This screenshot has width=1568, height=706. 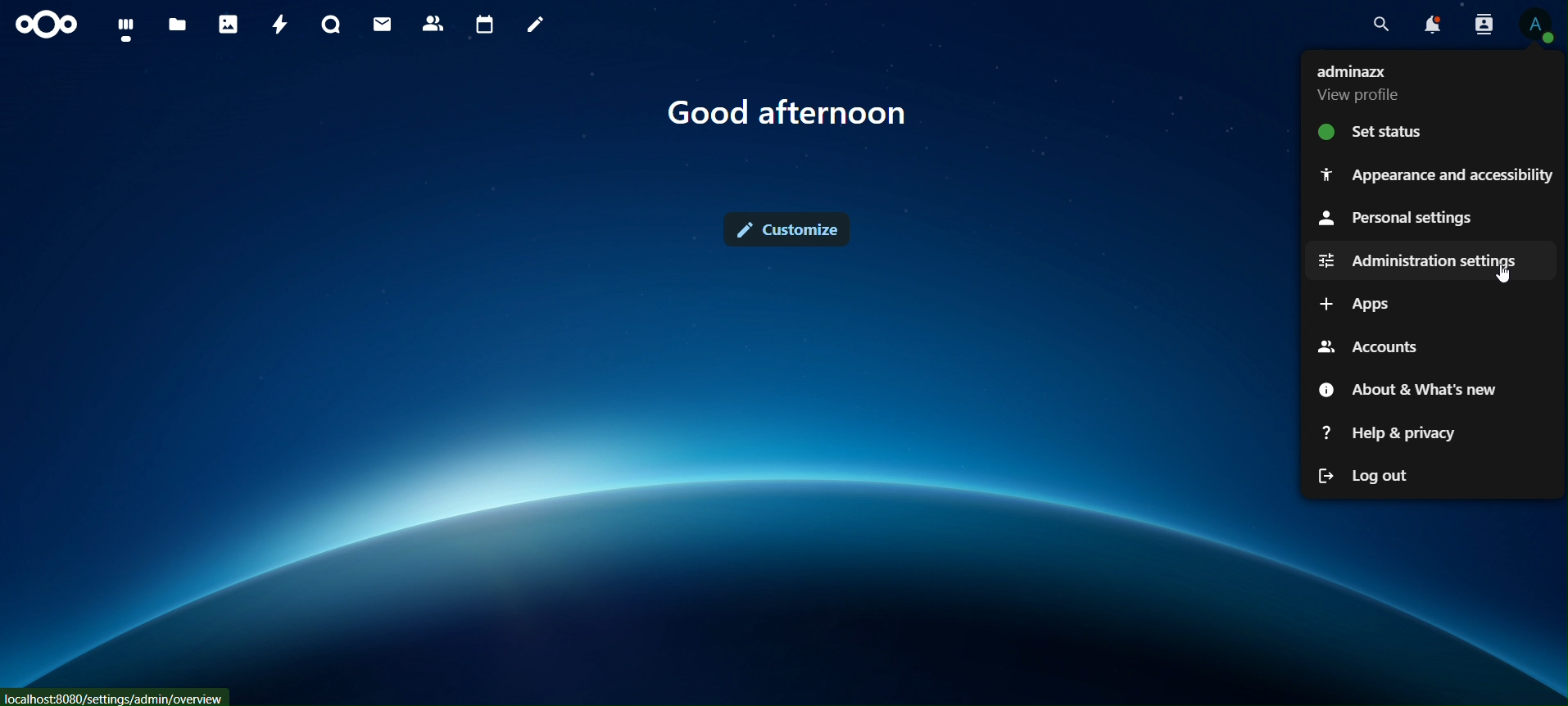 I want to click on customize, so click(x=785, y=228).